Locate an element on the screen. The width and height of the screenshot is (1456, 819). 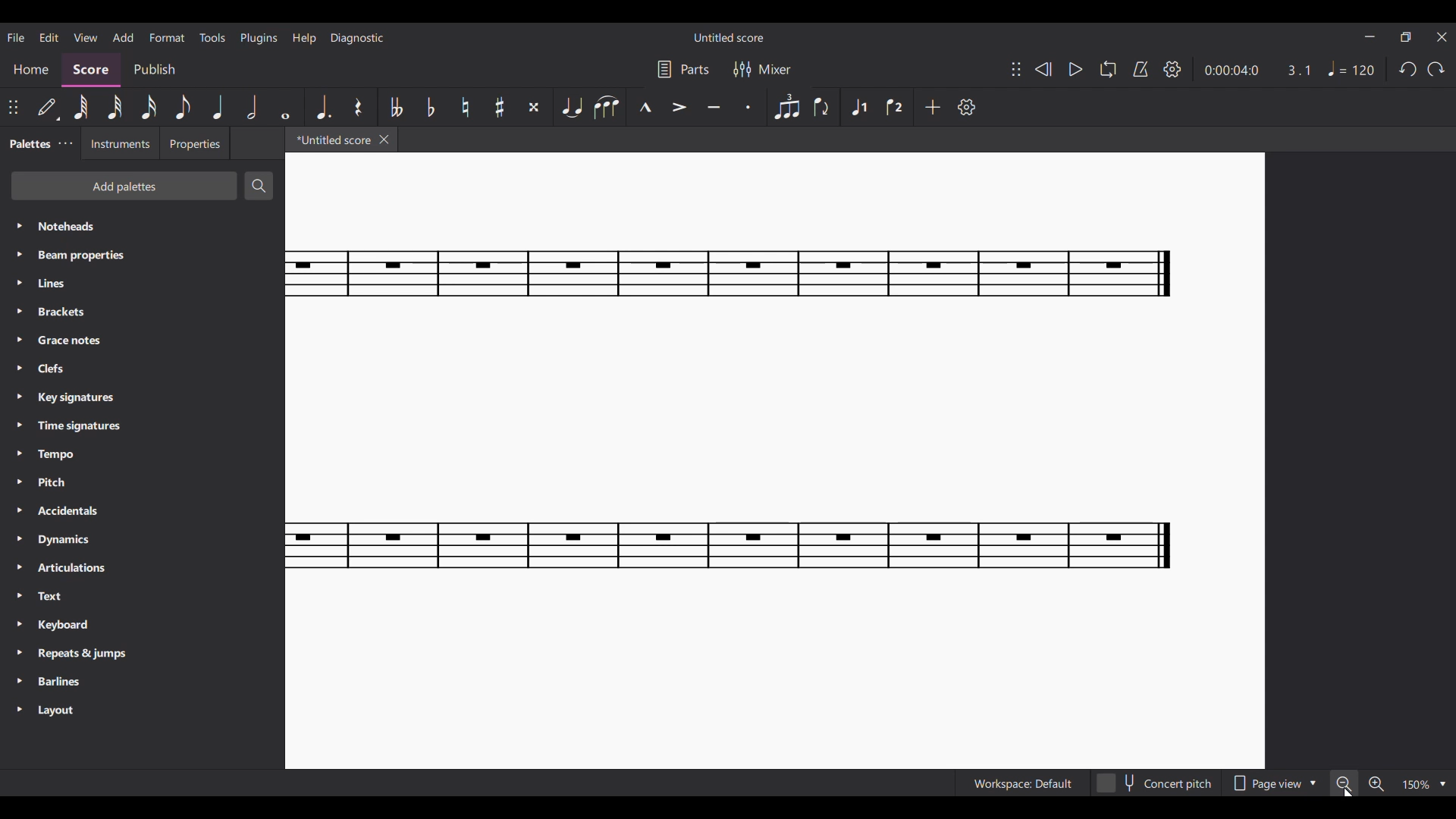
Current score is located at coordinates (730, 408).